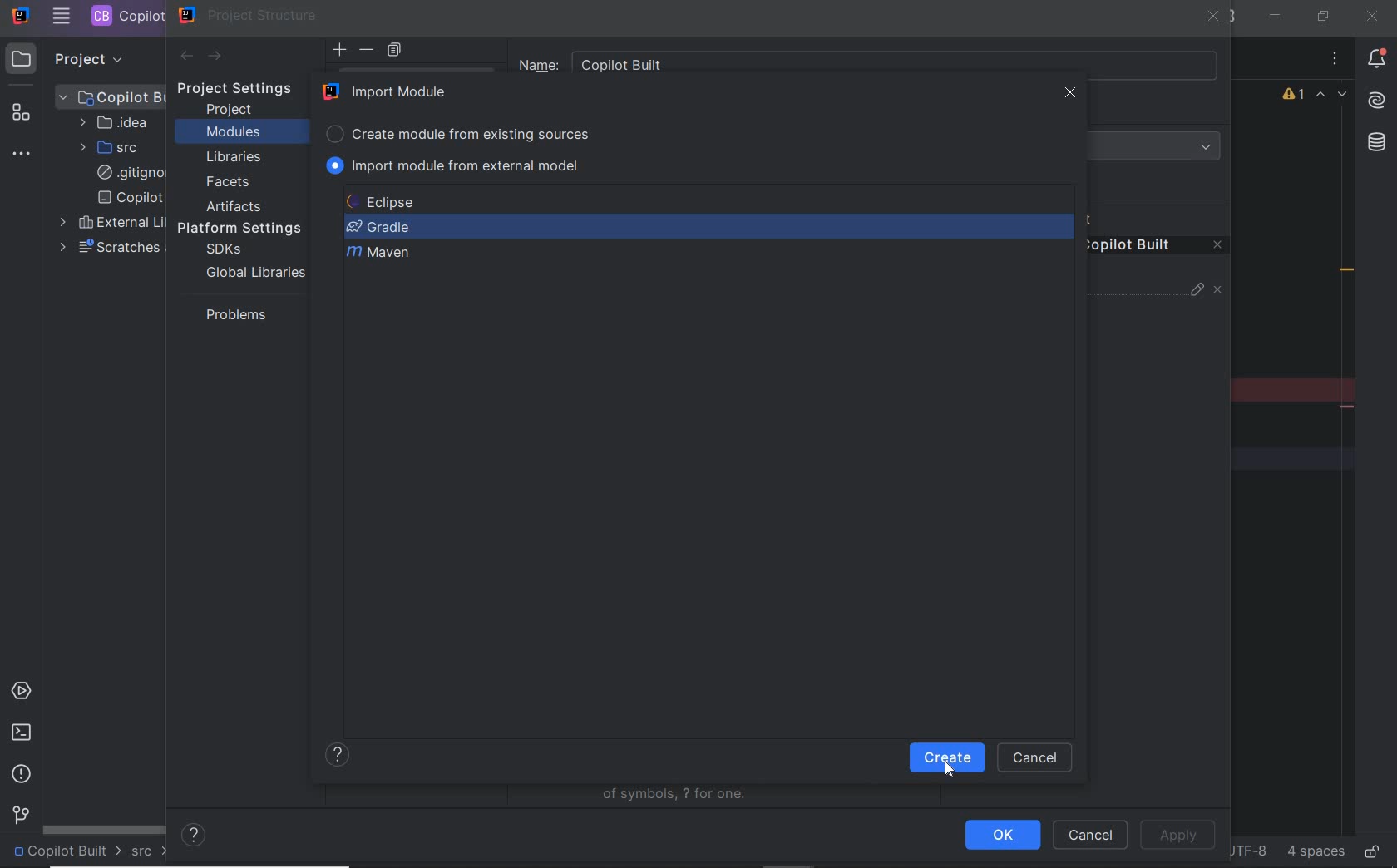 The width and height of the screenshot is (1397, 868). I want to click on file encoding, so click(1246, 850).